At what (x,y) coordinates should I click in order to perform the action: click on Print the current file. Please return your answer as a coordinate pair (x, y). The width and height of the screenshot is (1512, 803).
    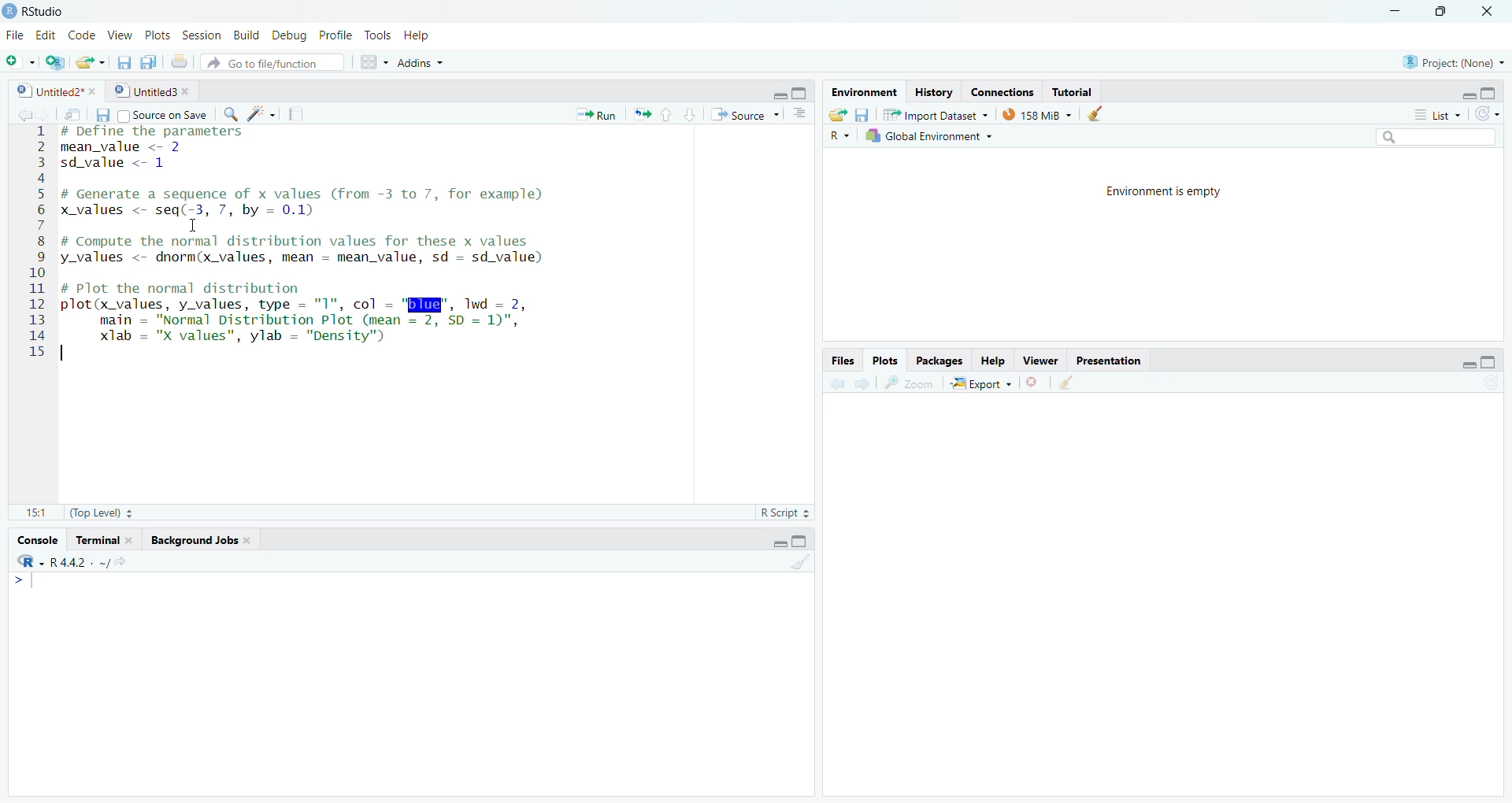
    Looking at the image, I should click on (178, 58).